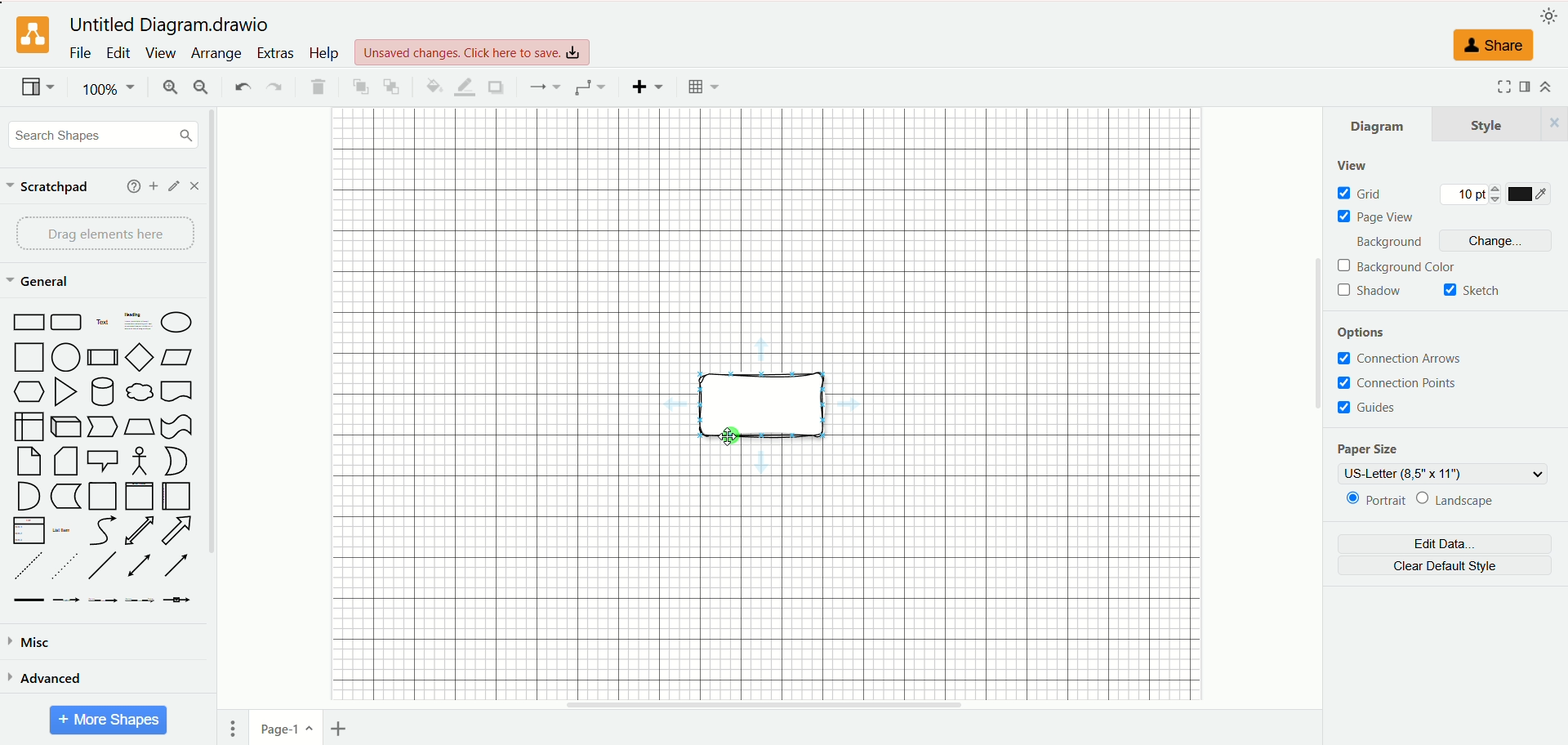 This screenshot has width=1568, height=745. Describe the element at coordinates (342, 729) in the screenshot. I see `insert page` at that location.